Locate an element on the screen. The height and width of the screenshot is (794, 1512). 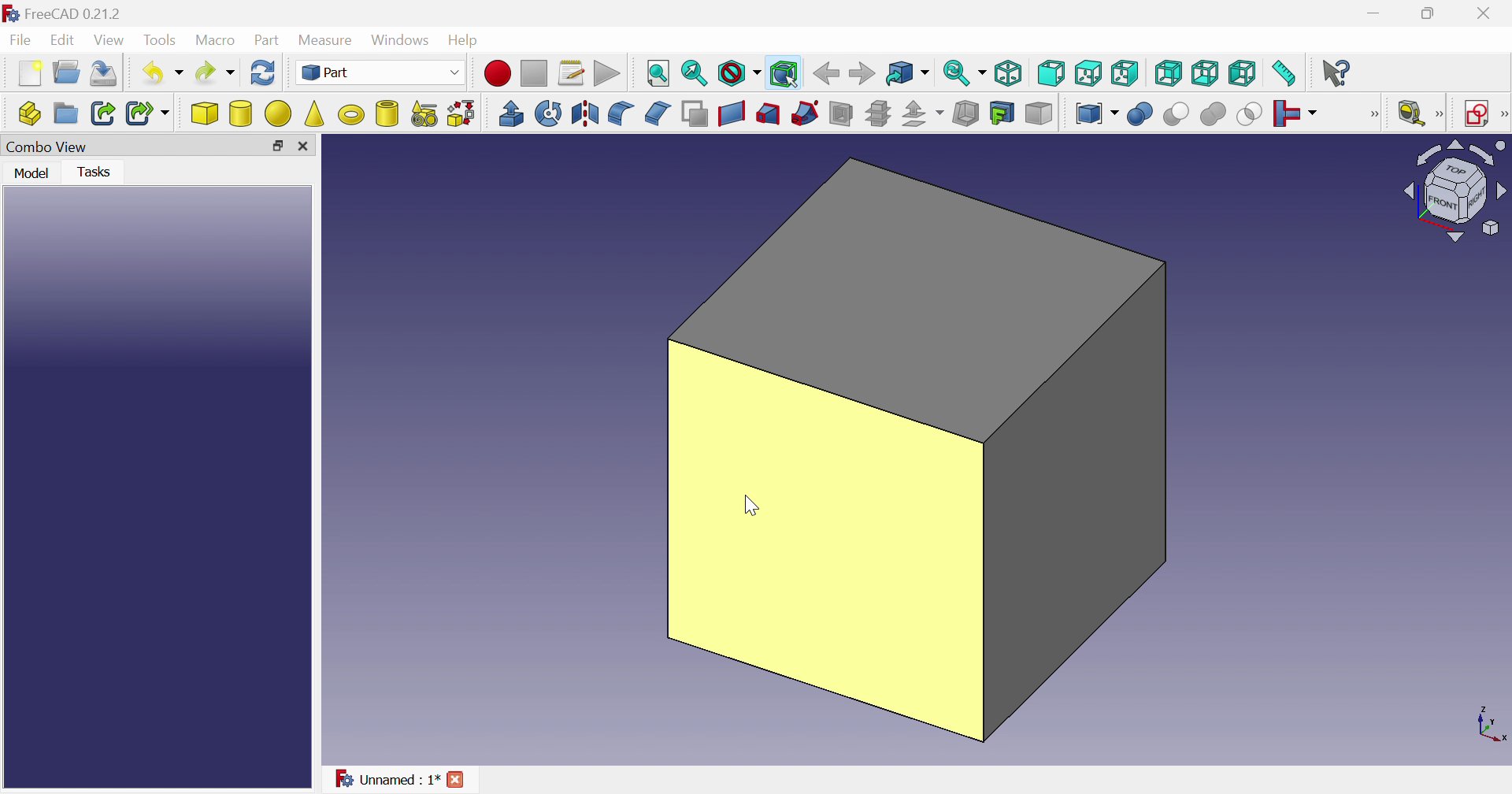
File is located at coordinates (21, 42).